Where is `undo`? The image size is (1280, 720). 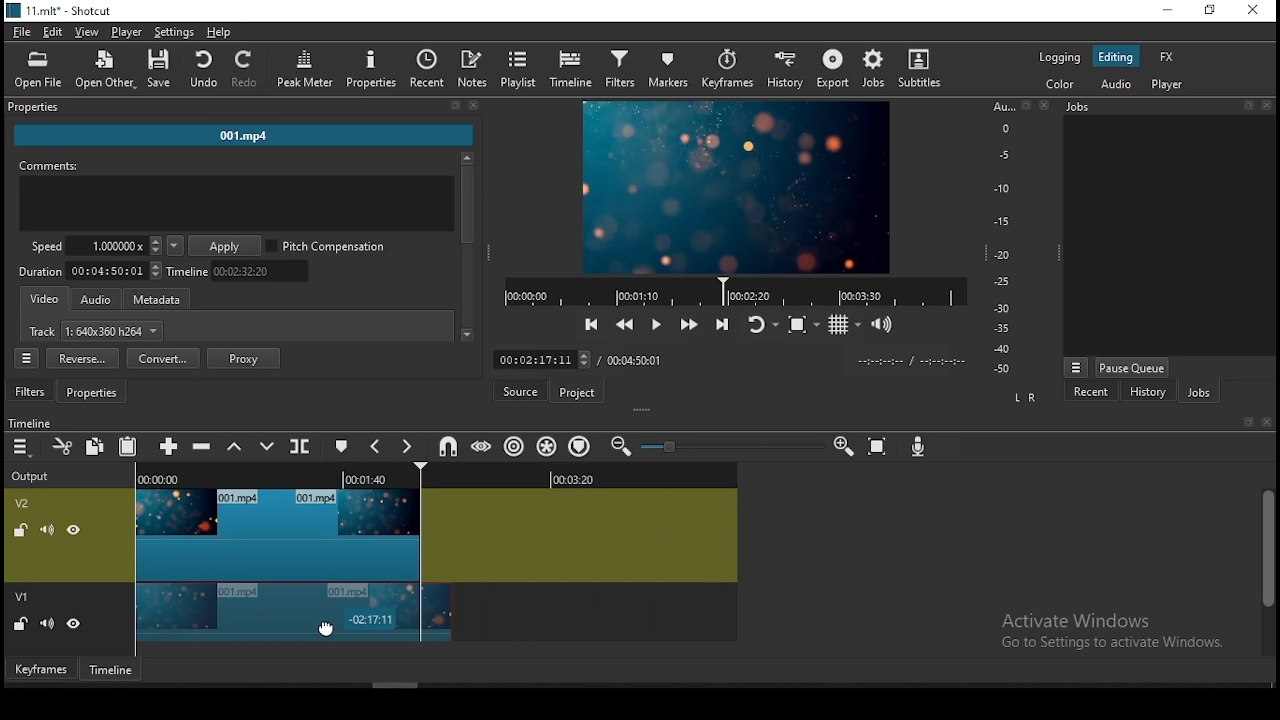 undo is located at coordinates (203, 70).